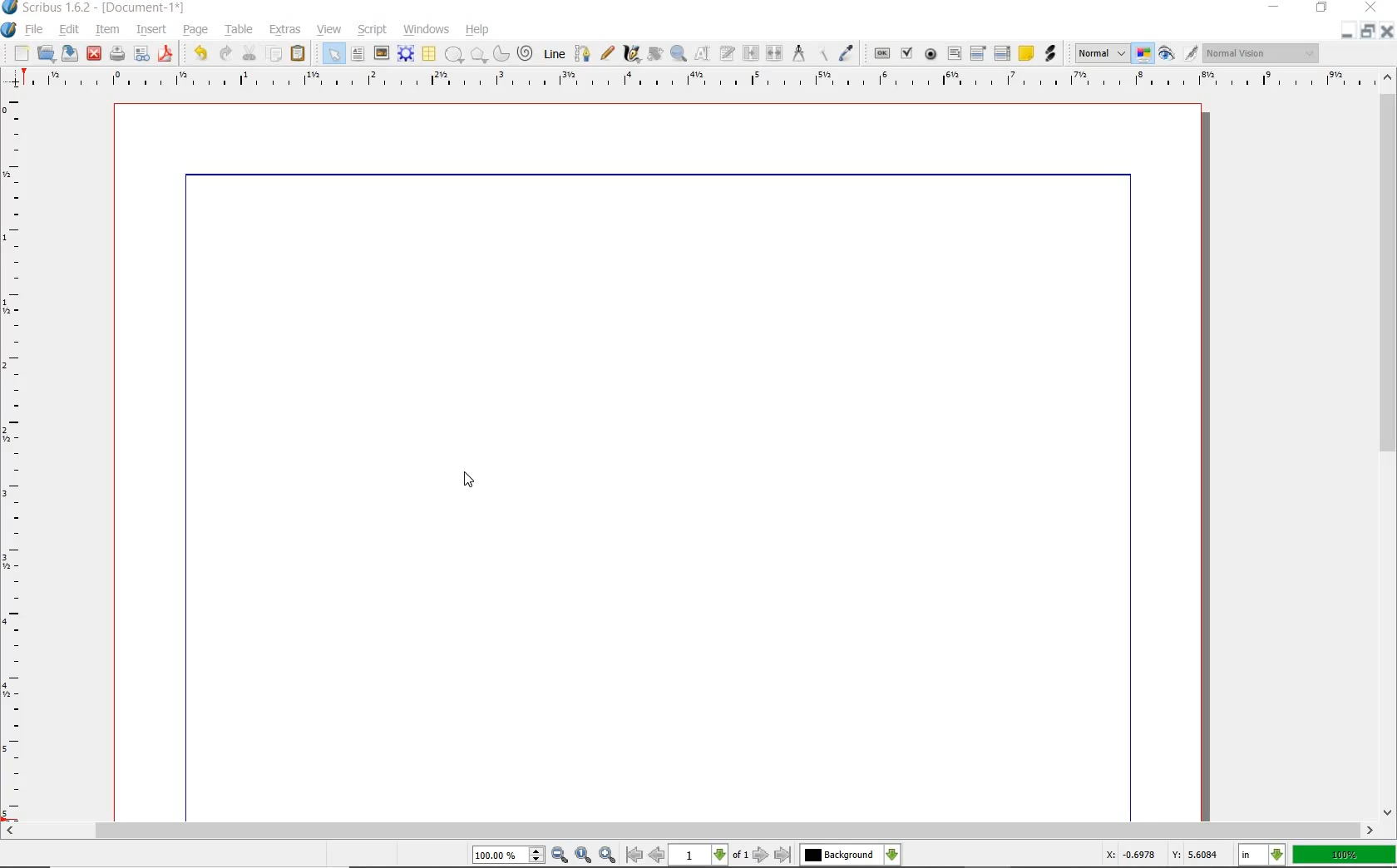 The image size is (1397, 868). What do you see at coordinates (689, 831) in the screenshot?
I see `SCROLLBAR` at bounding box center [689, 831].